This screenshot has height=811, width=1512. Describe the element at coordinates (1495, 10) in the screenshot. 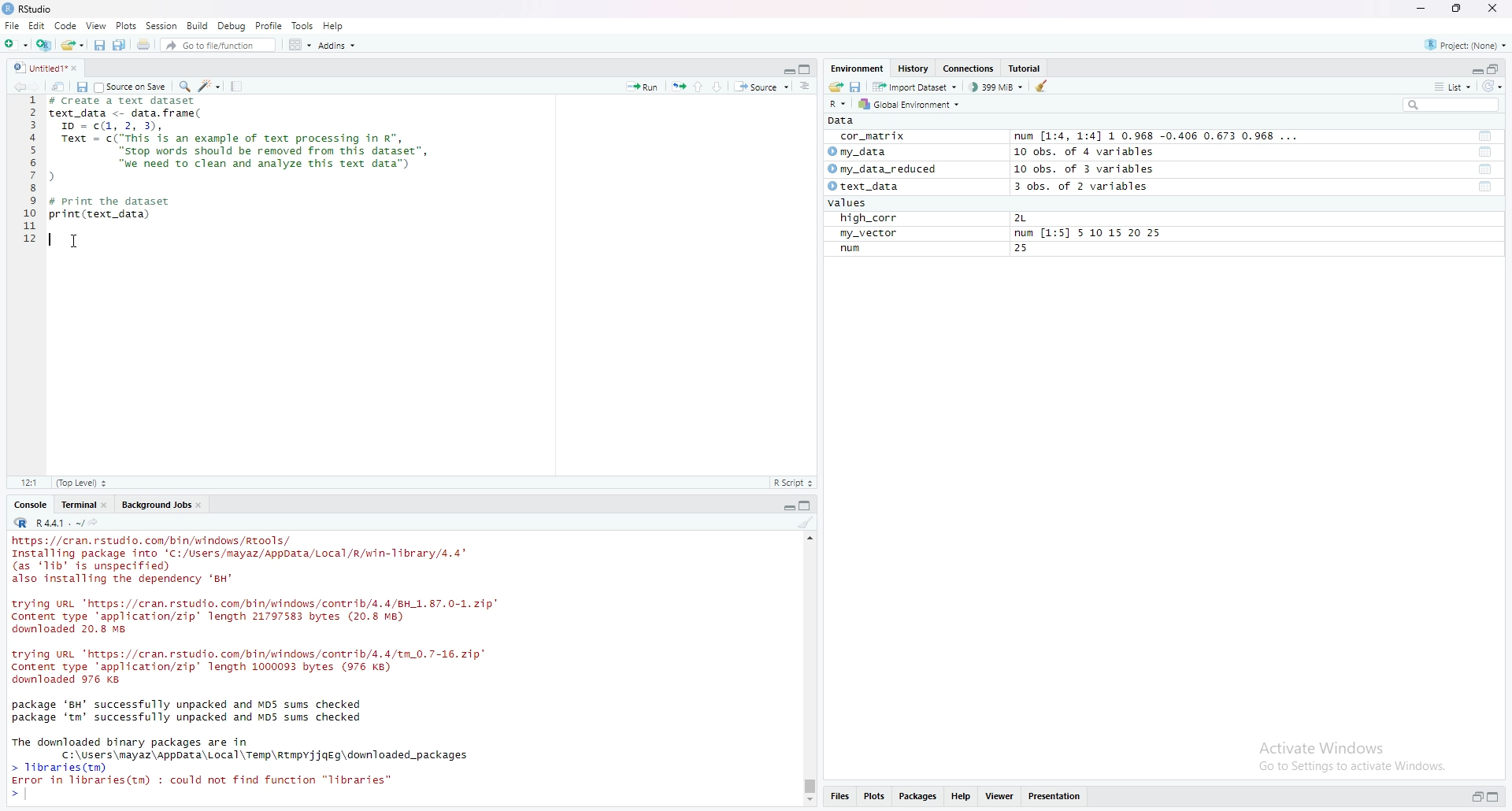

I see `close` at that location.